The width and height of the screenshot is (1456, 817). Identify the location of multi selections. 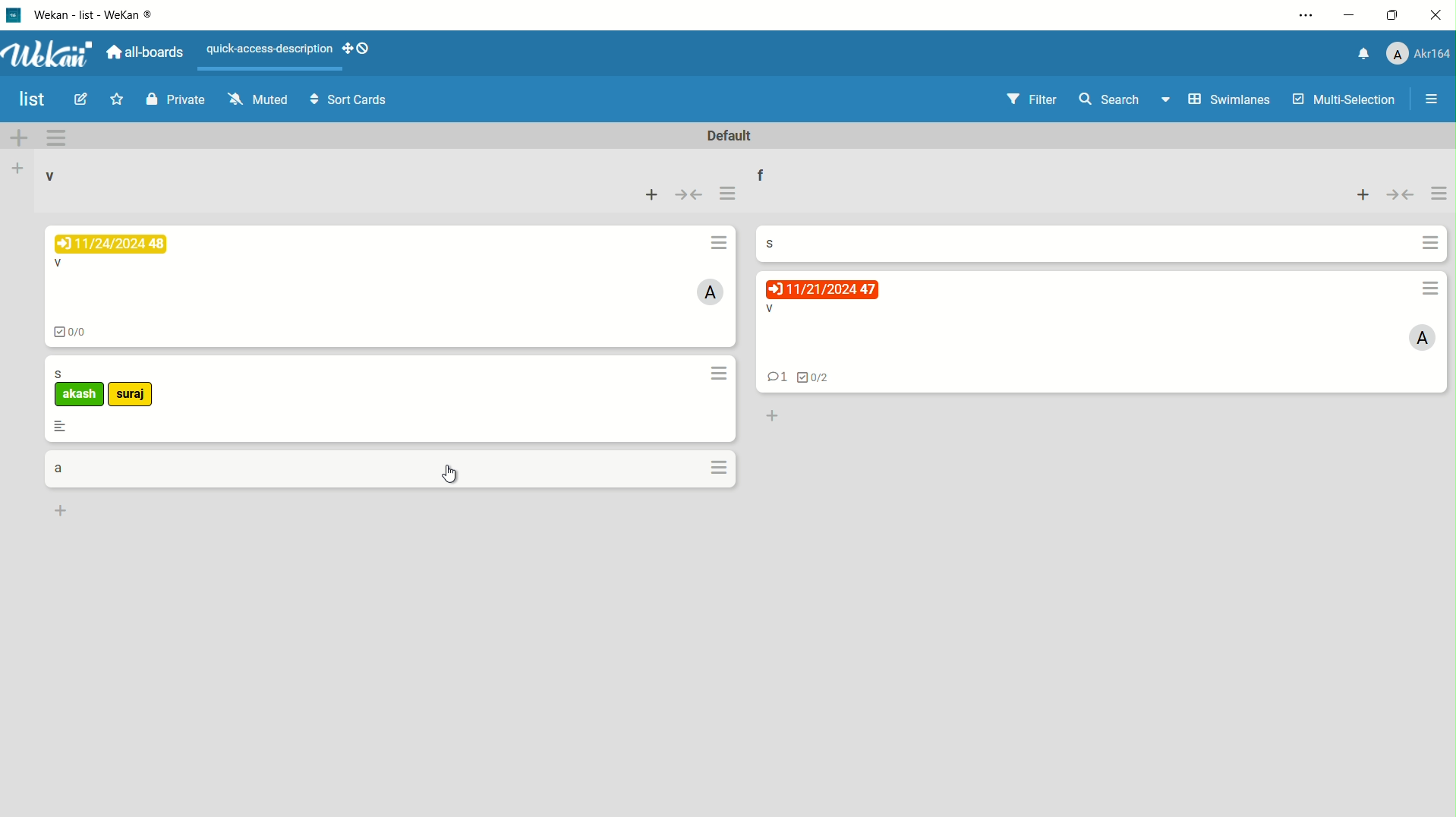
(1342, 101).